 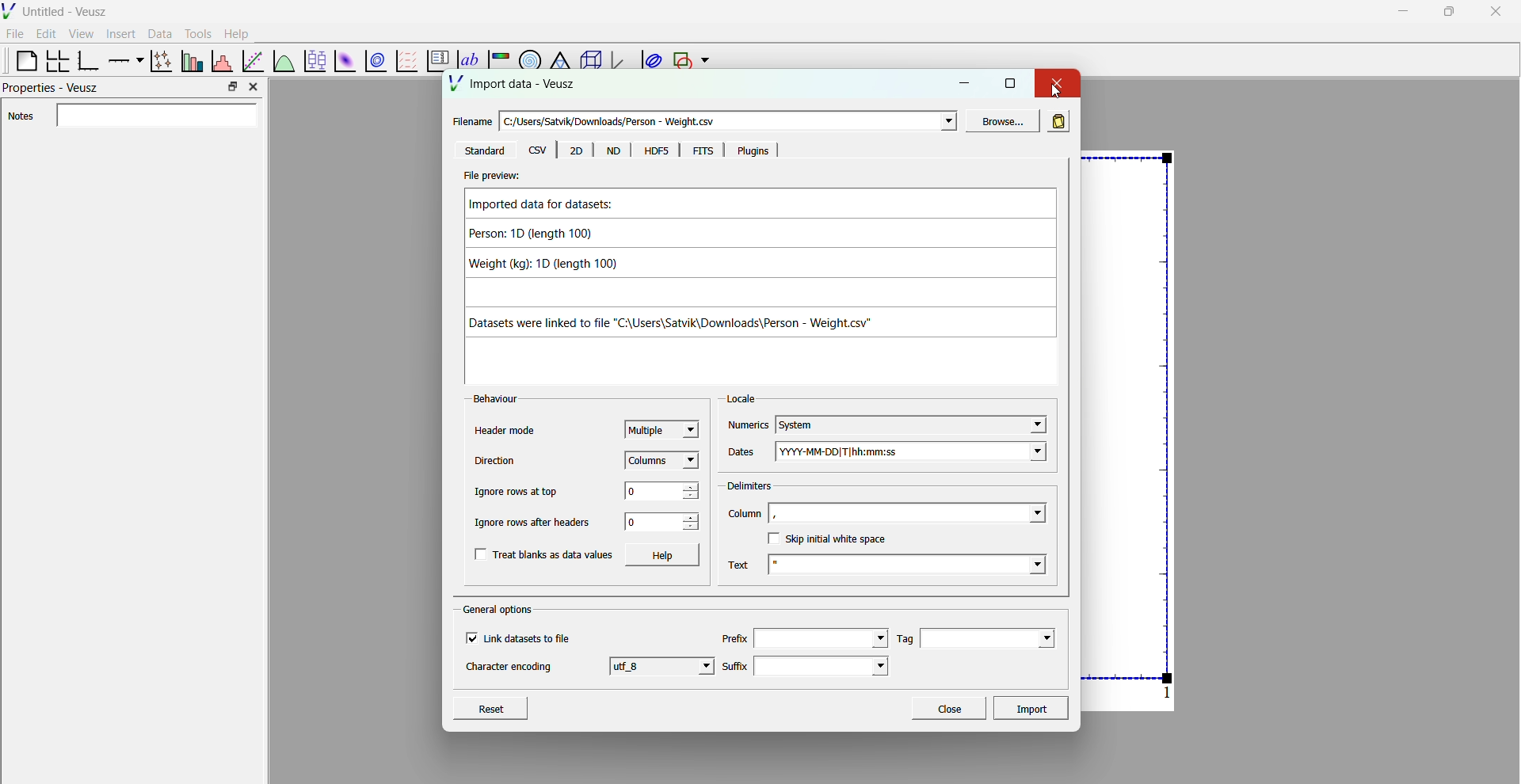 I want to click on Behaviour, so click(x=487, y=401).